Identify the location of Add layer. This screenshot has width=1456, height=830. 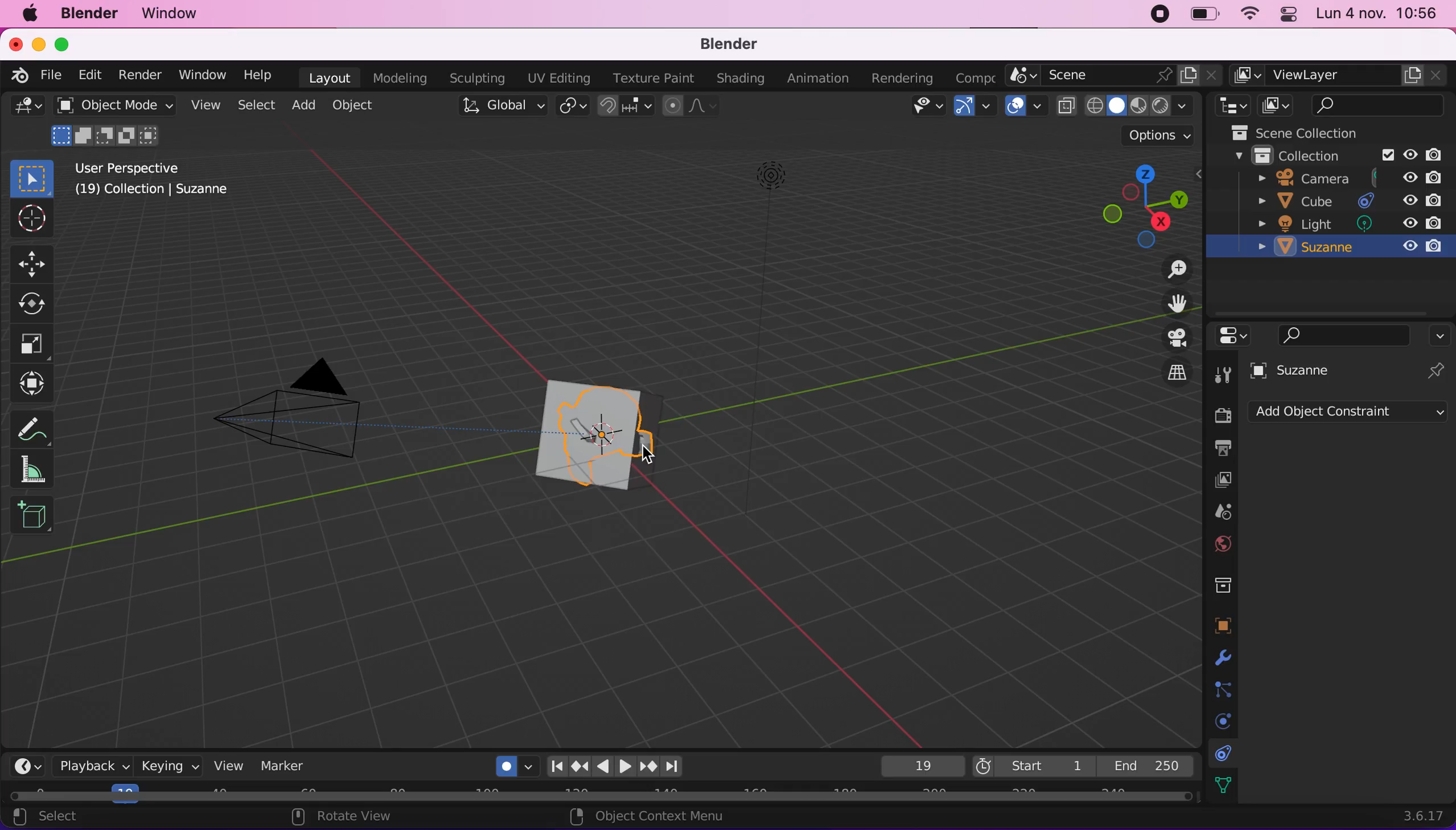
(1413, 75).